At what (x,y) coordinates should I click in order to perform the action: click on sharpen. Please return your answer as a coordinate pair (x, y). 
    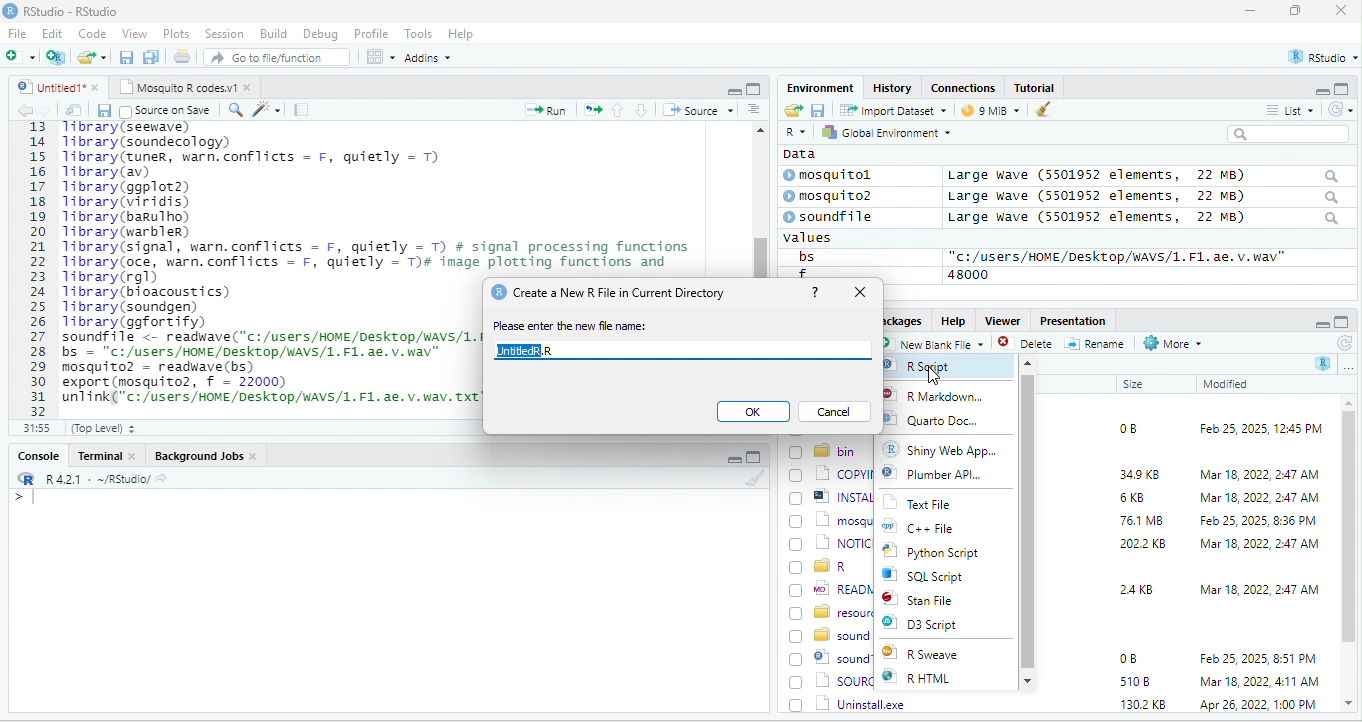
    Looking at the image, I should click on (267, 109).